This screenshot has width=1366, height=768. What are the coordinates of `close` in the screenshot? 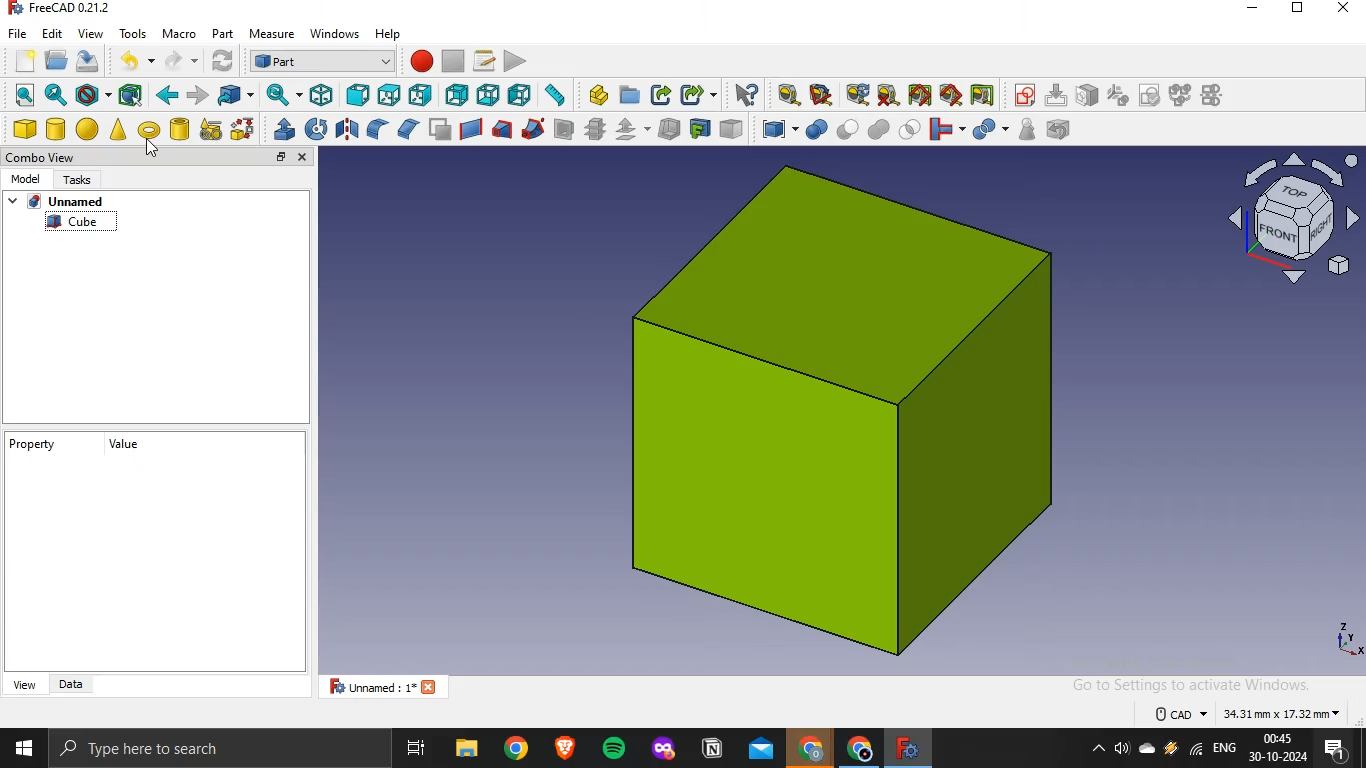 It's located at (304, 157).